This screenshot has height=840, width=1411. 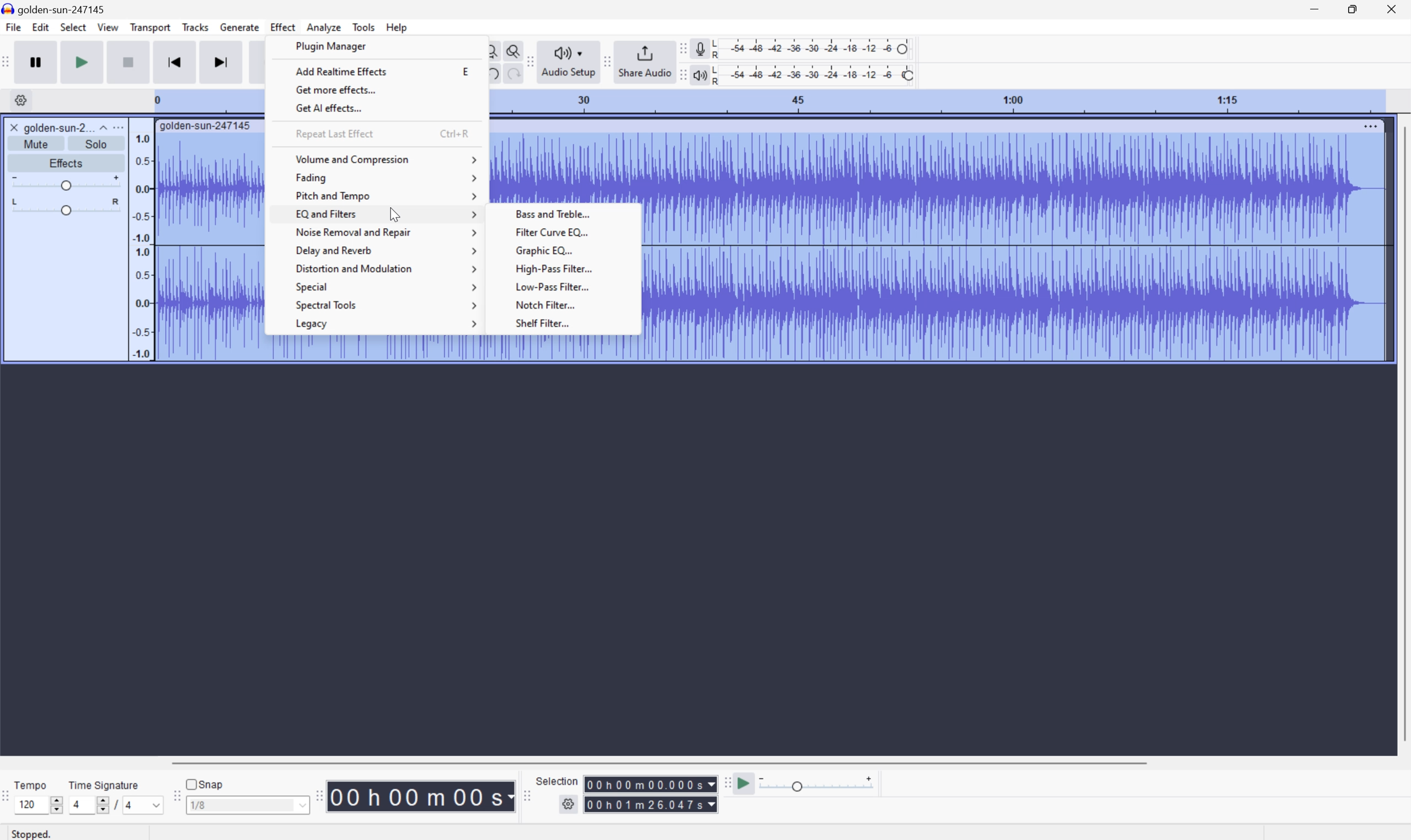 What do you see at coordinates (572, 250) in the screenshot?
I see `Graphic EQ...` at bounding box center [572, 250].